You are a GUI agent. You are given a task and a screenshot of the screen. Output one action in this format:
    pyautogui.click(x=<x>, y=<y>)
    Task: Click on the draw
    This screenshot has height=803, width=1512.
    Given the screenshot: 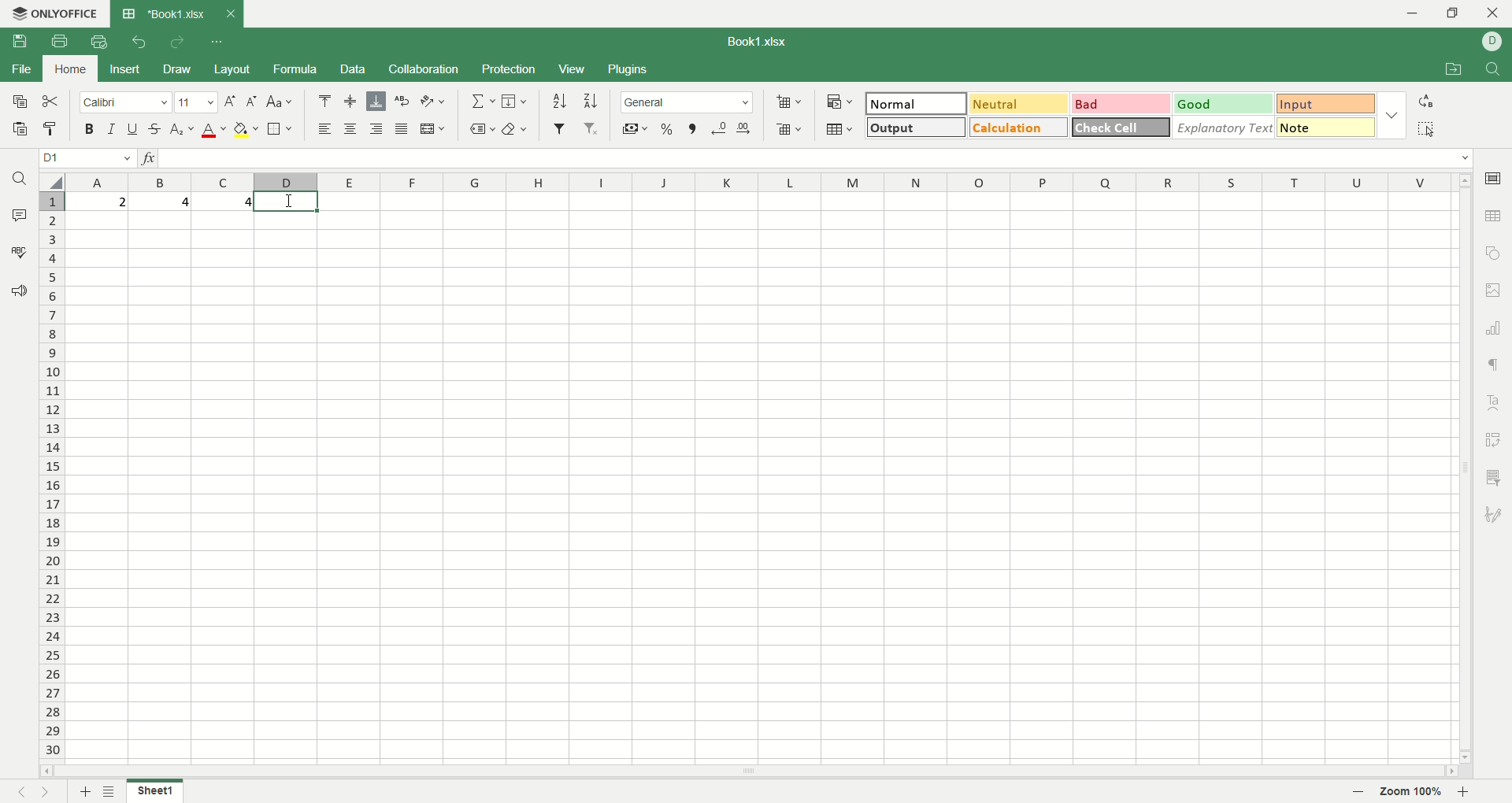 What is the action you would take?
    pyautogui.click(x=180, y=69)
    